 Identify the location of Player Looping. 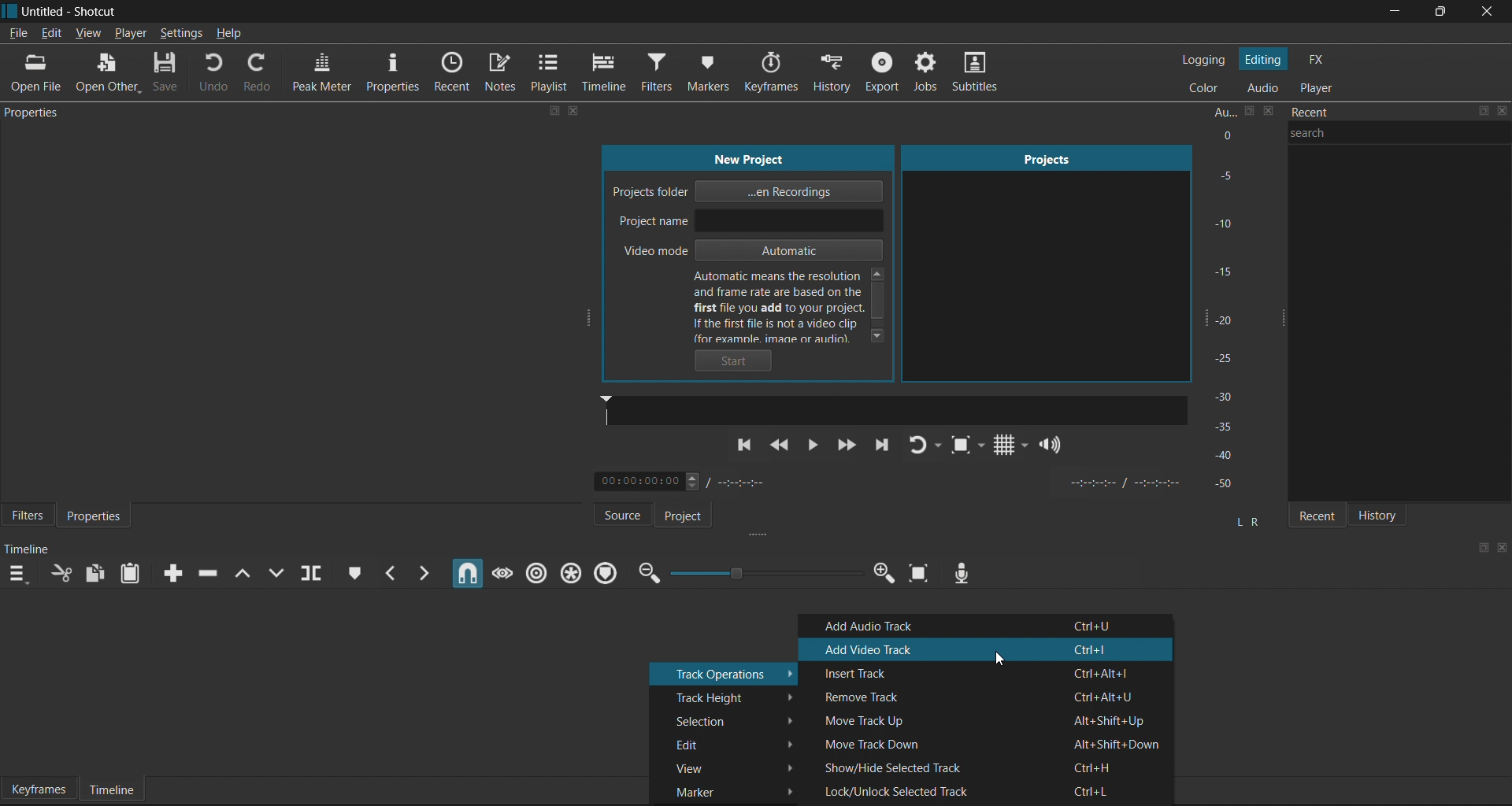
(926, 447).